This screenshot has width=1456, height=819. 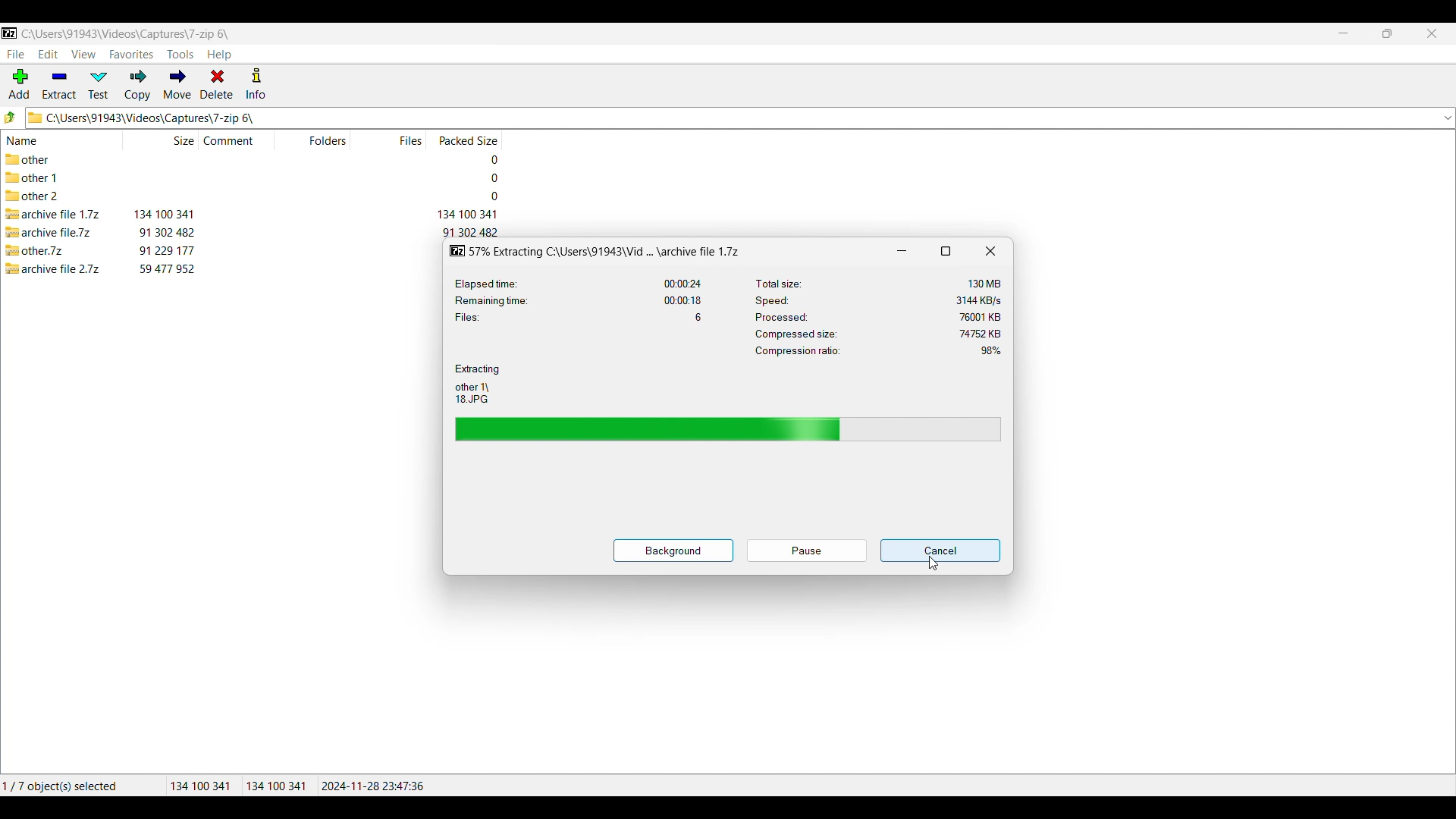 I want to click on C:\Users\91943\Videos\Captures\7-zip 6\, so click(x=126, y=33).